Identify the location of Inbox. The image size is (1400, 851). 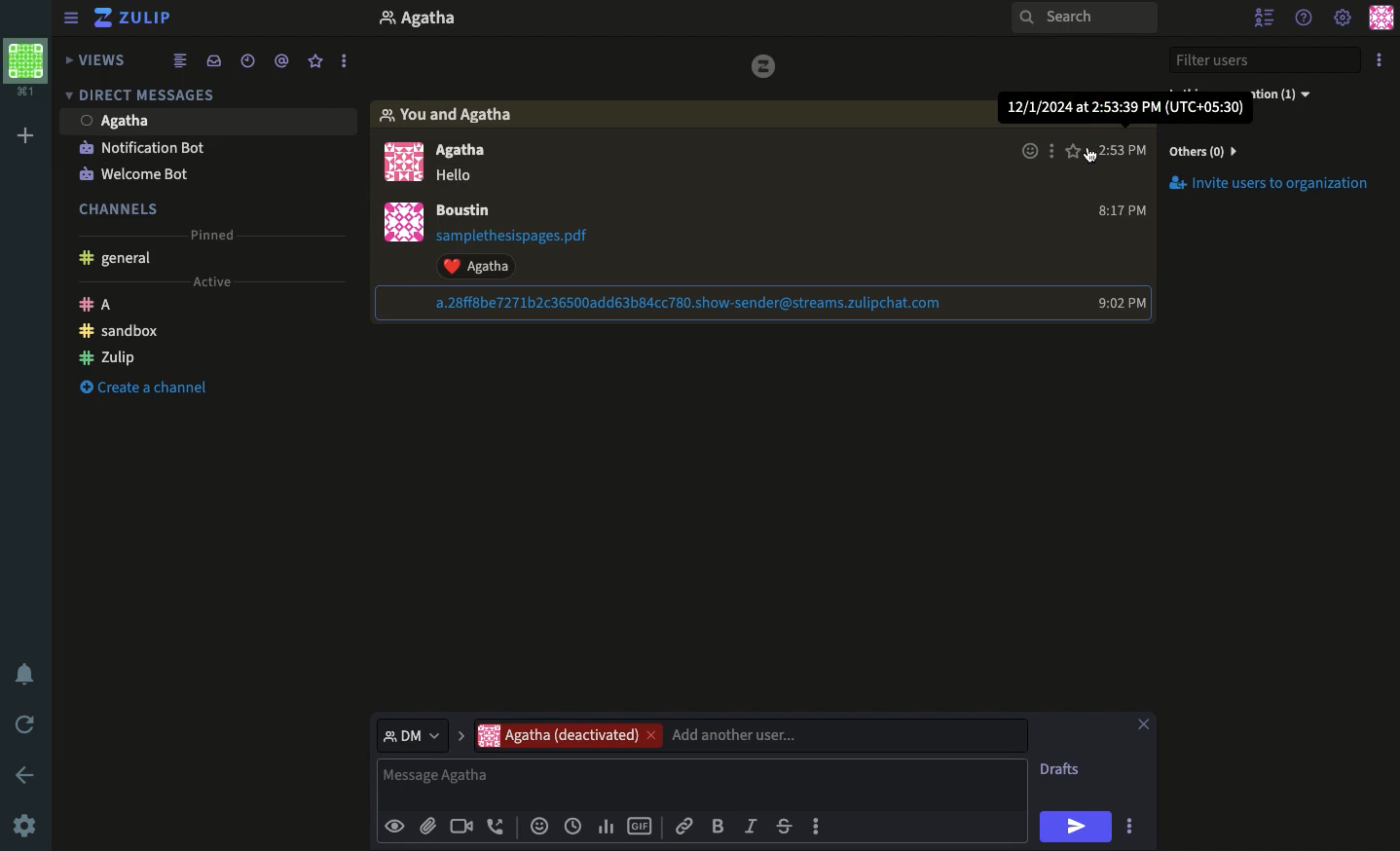
(608, 19).